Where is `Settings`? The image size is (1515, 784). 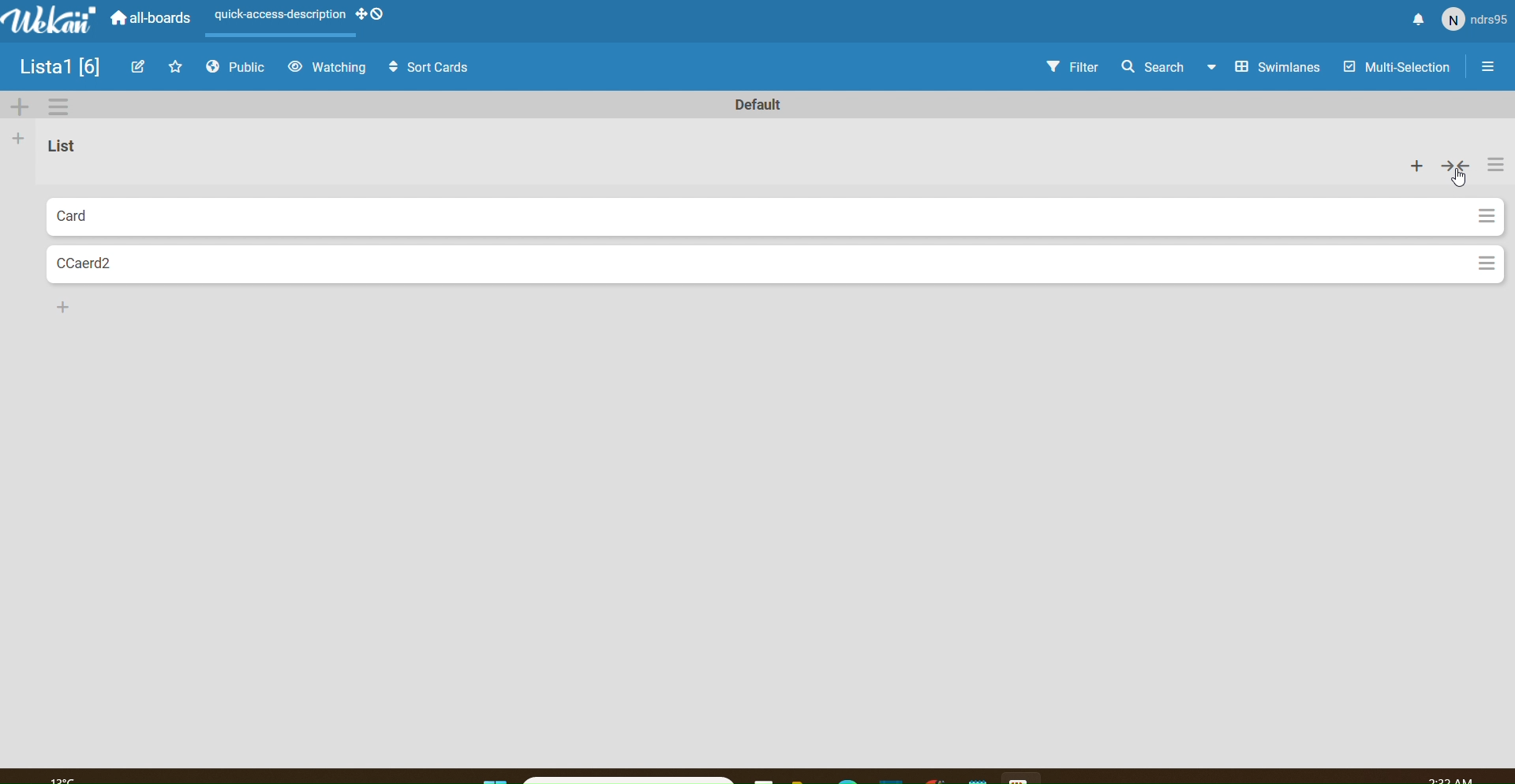 Settings is located at coordinates (1487, 263).